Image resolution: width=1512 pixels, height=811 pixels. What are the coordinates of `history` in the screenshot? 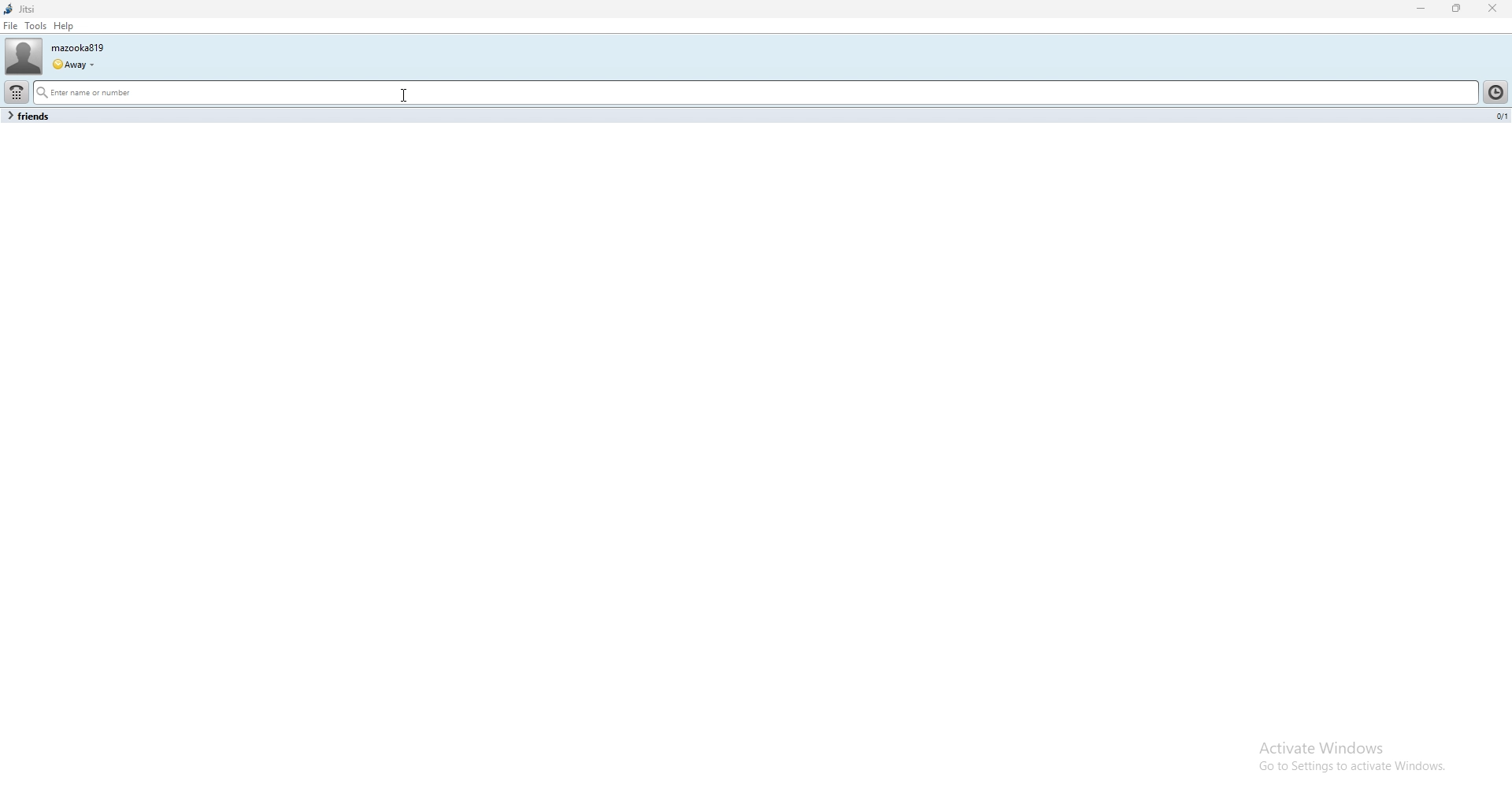 It's located at (1497, 92).